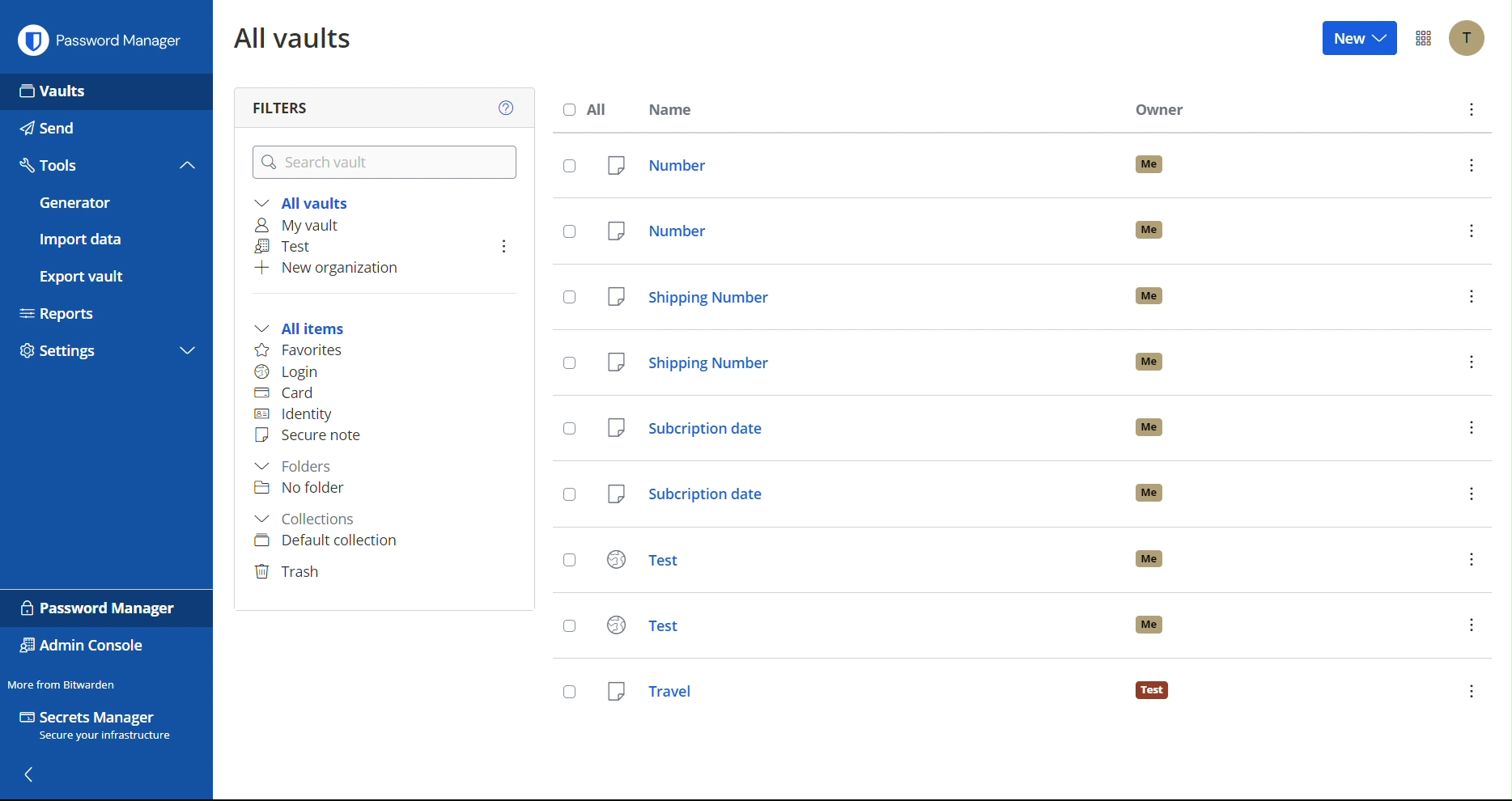 The width and height of the screenshot is (1512, 801). Describe the element at coordinates (308, 518) in the screenshot. I see `Collections` at that location.